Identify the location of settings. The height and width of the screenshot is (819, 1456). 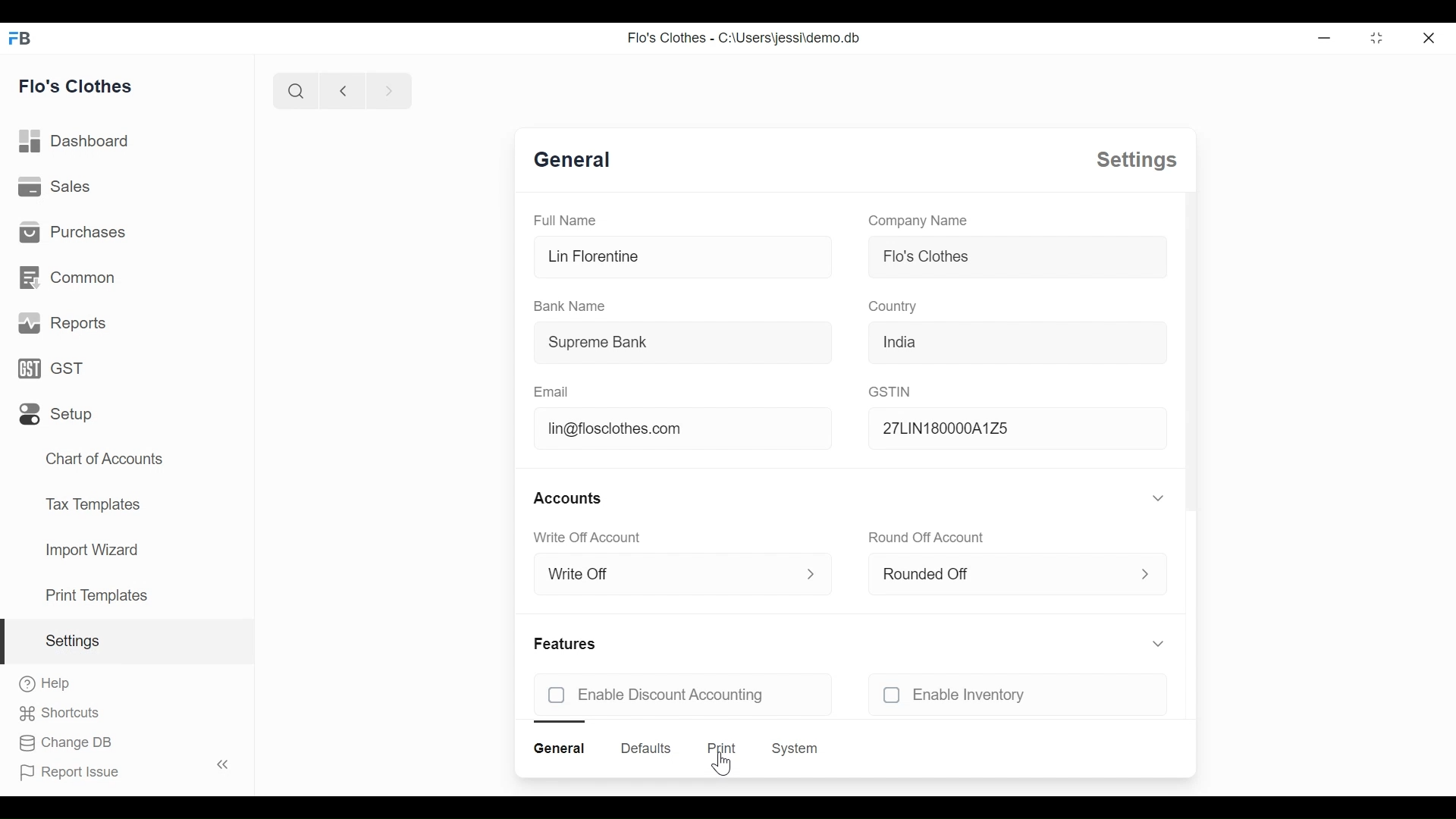
(1137, 160).